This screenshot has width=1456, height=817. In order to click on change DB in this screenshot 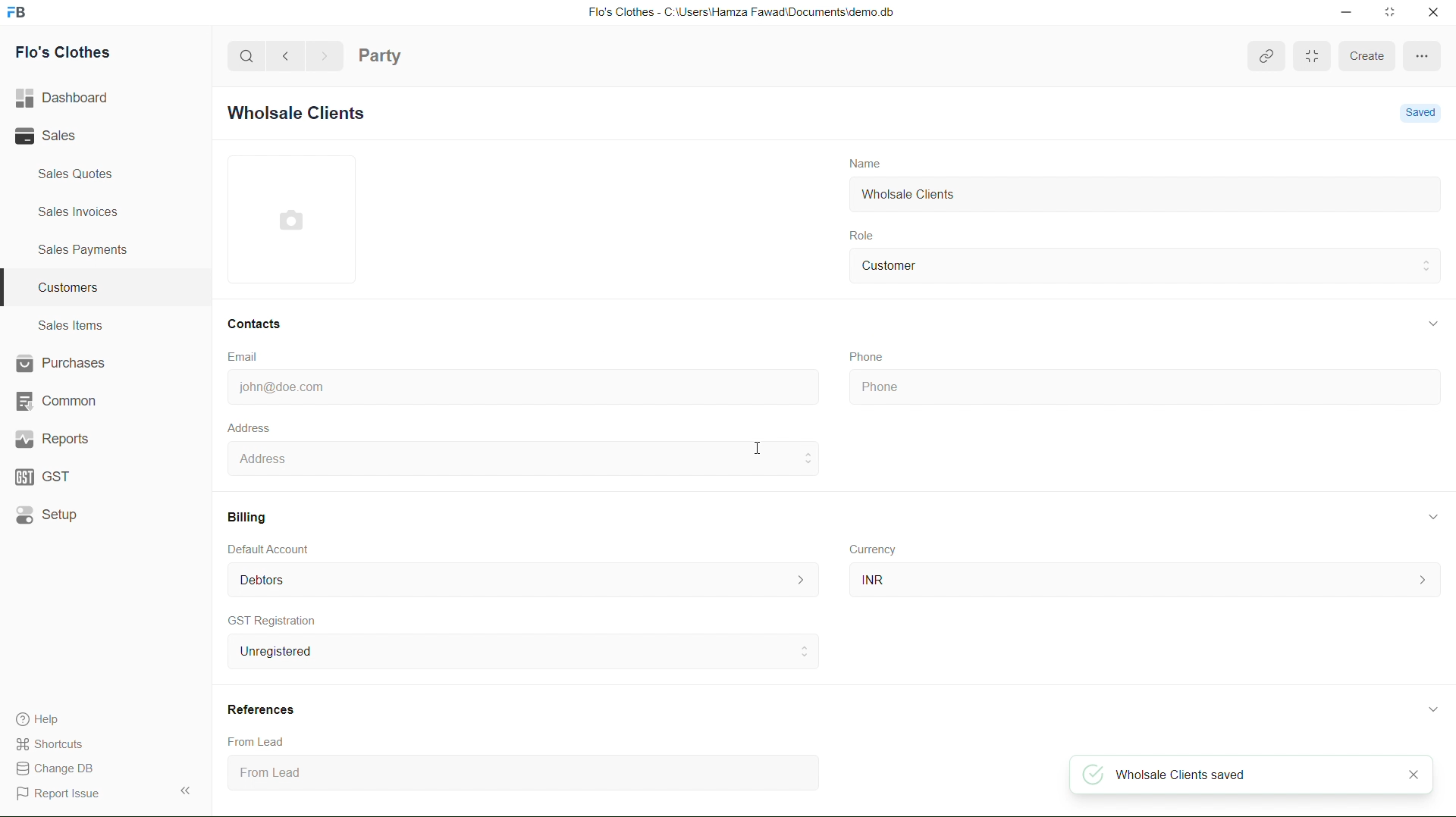, I will do `click(55, 768)`.